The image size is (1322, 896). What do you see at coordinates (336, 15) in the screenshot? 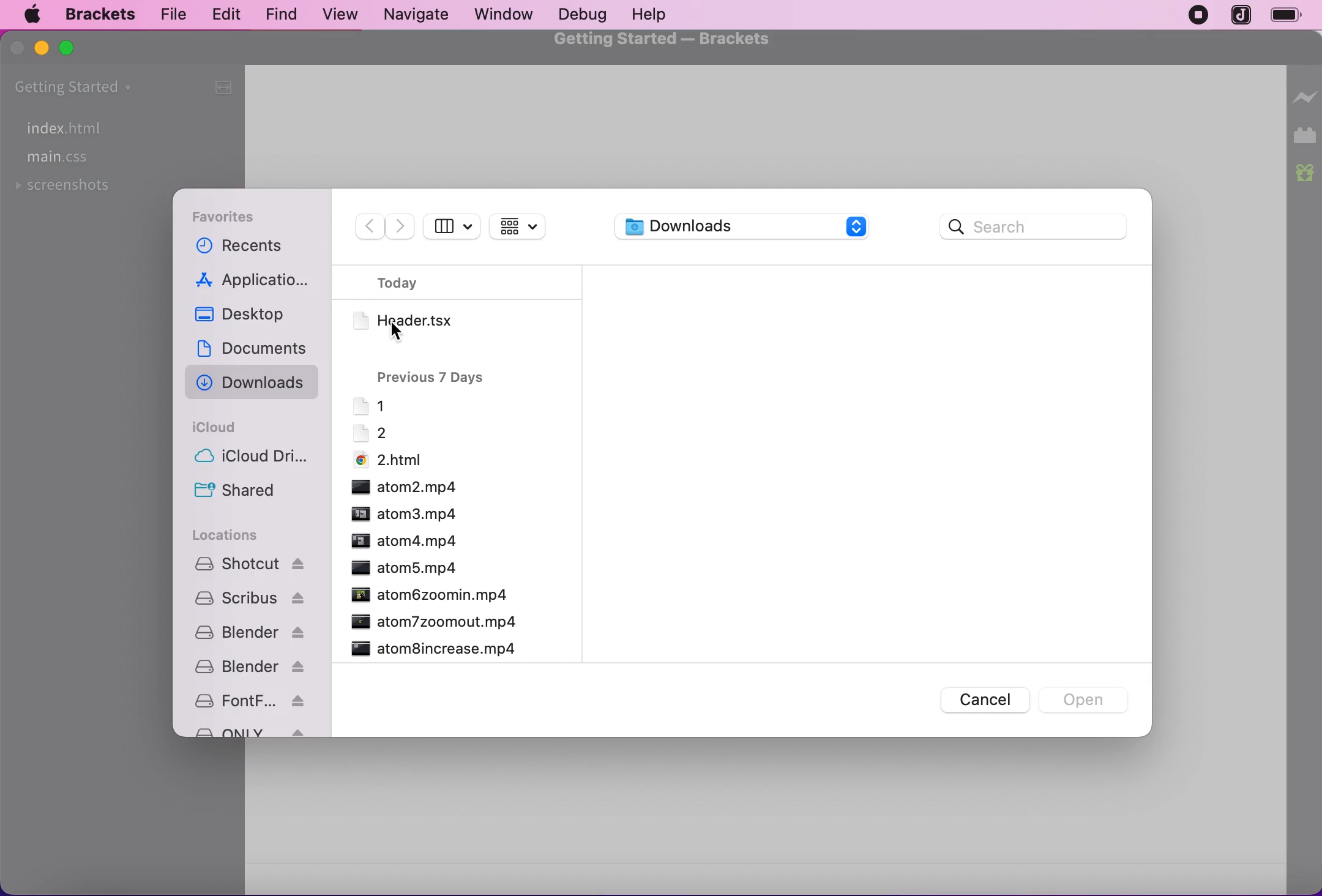
I see `view` at bounding box center [336, 15].